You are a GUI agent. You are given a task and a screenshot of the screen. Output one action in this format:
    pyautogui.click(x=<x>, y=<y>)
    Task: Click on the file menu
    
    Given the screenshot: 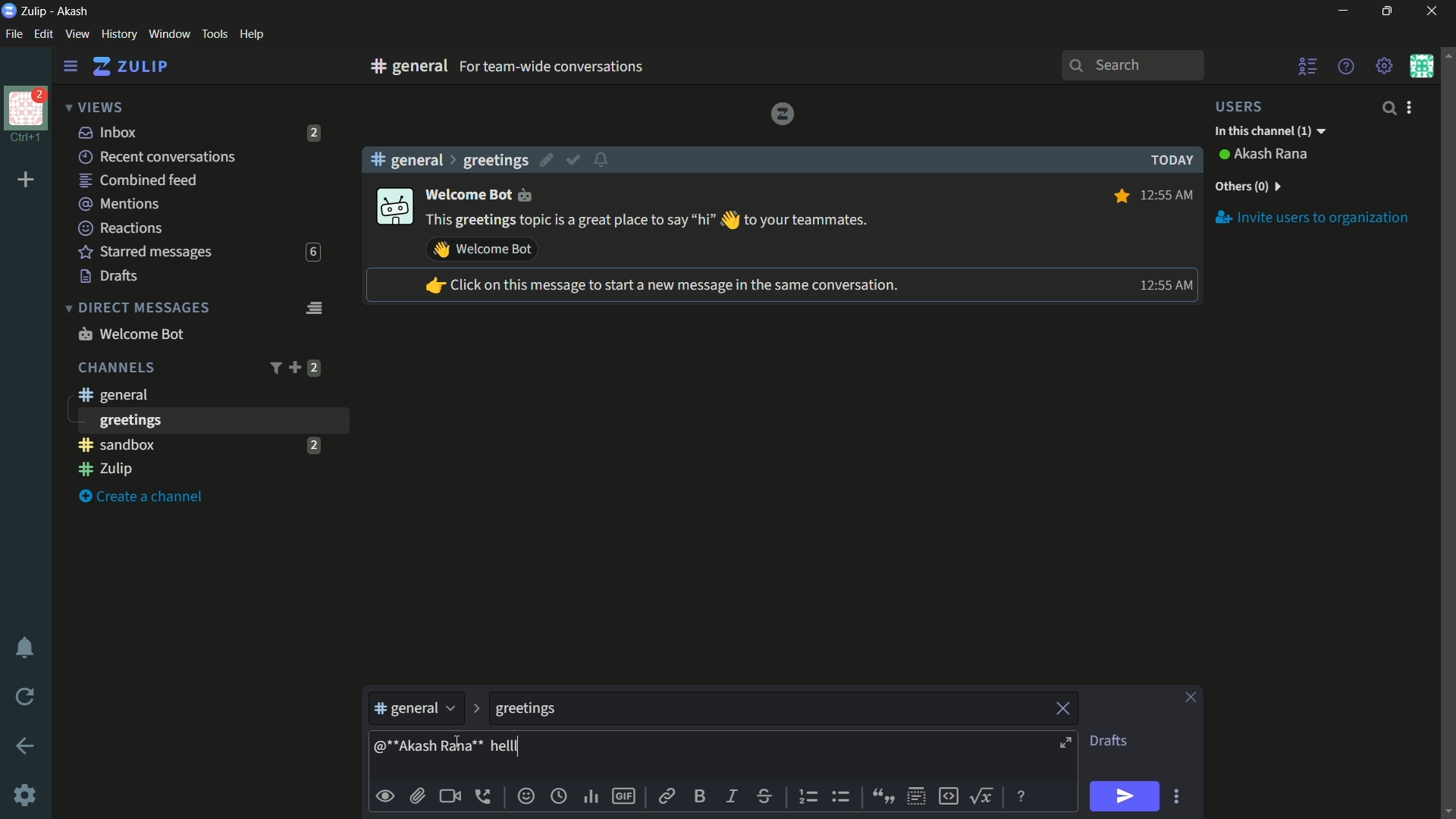 What is the action you would take?
    pyautogui.click(x=14, y=35)
    